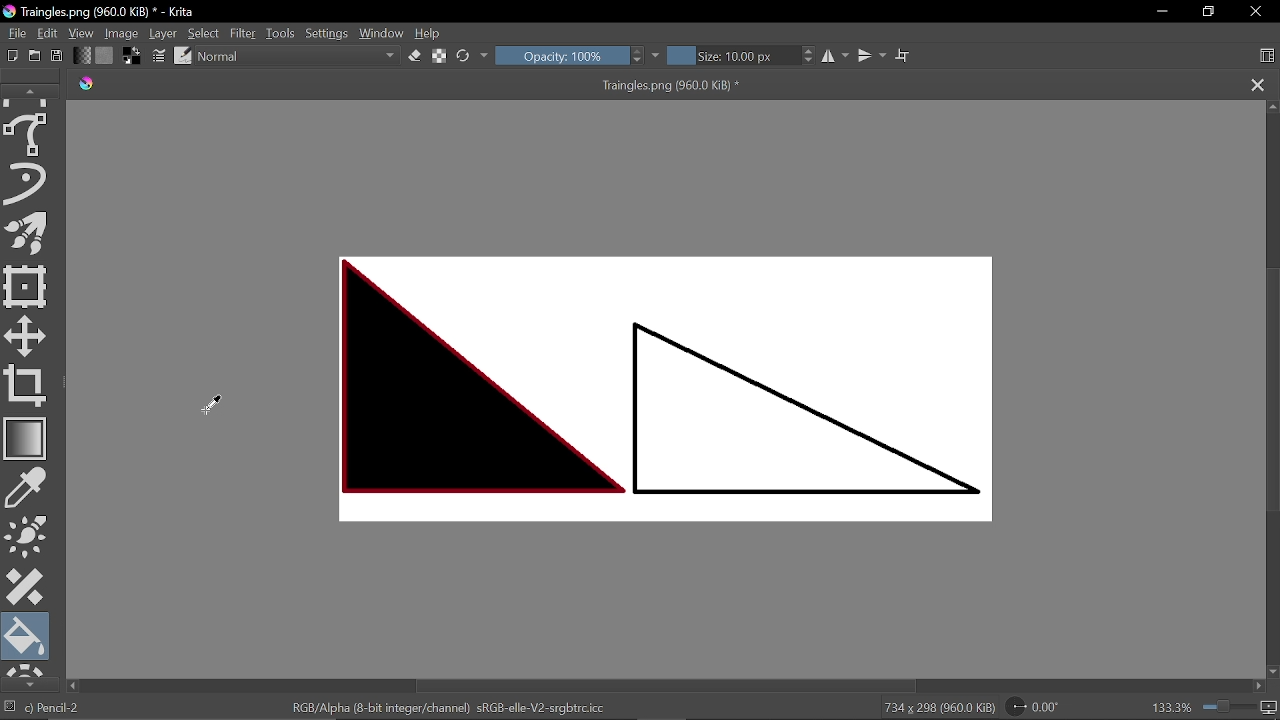 Image resolution: width=1280 pixels, height=720 pixels. What do you see at coordinates (439, 58) in the screenshot?
I see `Preserve alpha` at bounding box center [439, 58].